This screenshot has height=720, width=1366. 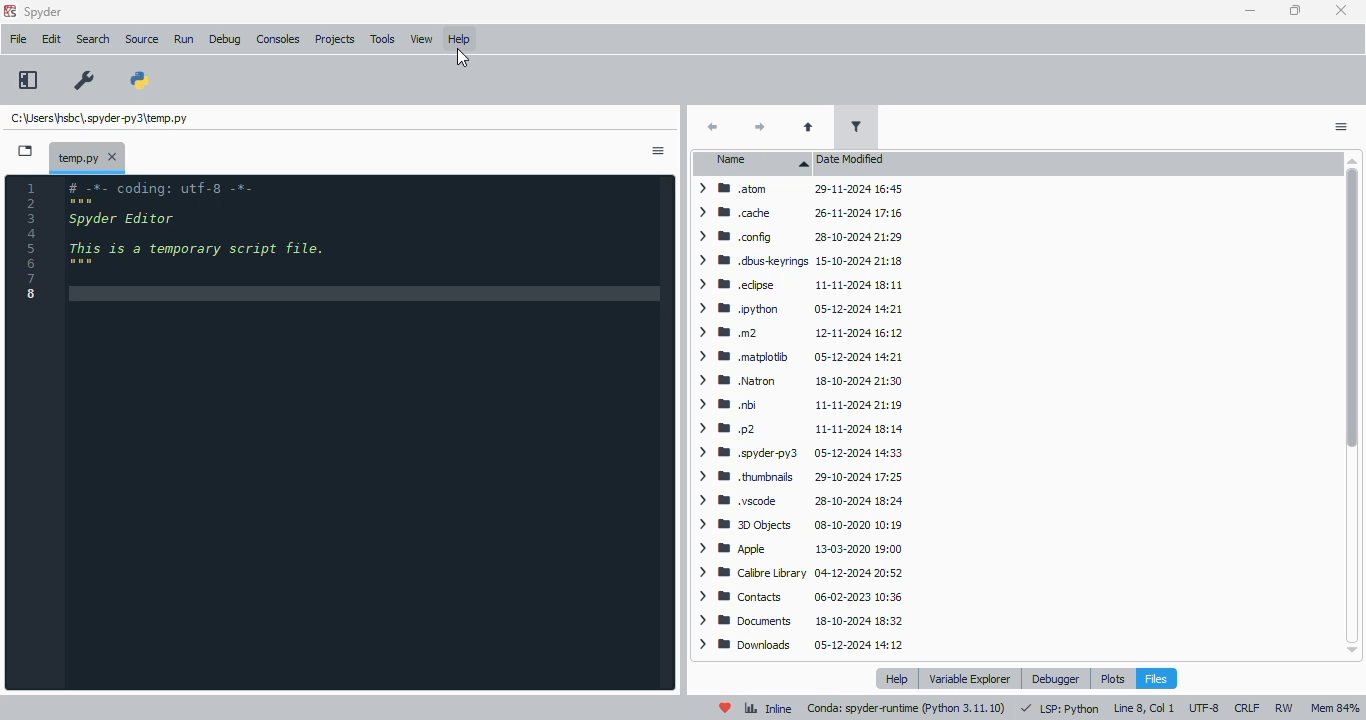 What do you see at coordinates (114, 159) in the screenshot?
I see `close` at bounding box center [114, 159].